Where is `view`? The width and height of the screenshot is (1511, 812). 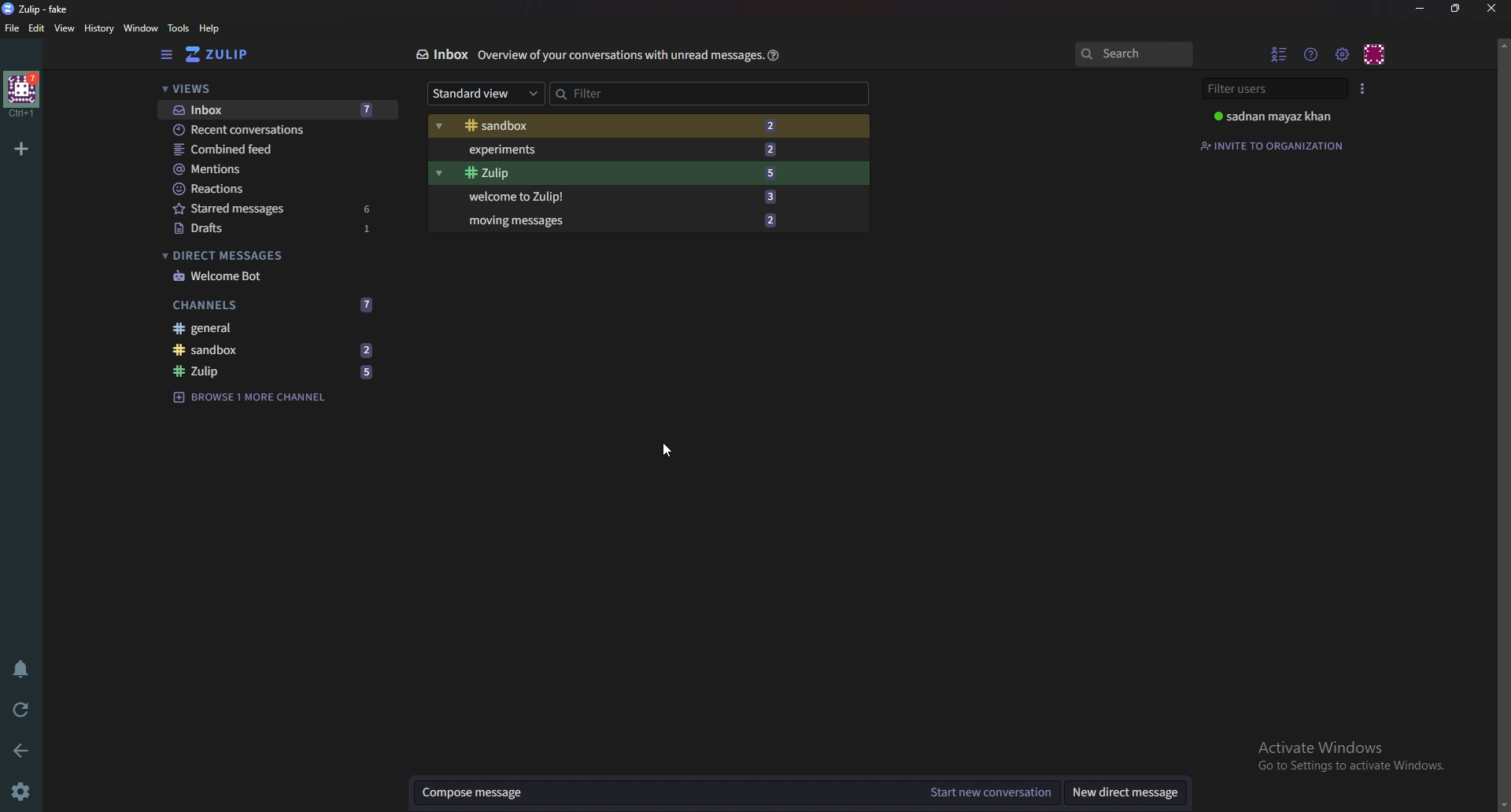
view is located at coordinates (65, 27).